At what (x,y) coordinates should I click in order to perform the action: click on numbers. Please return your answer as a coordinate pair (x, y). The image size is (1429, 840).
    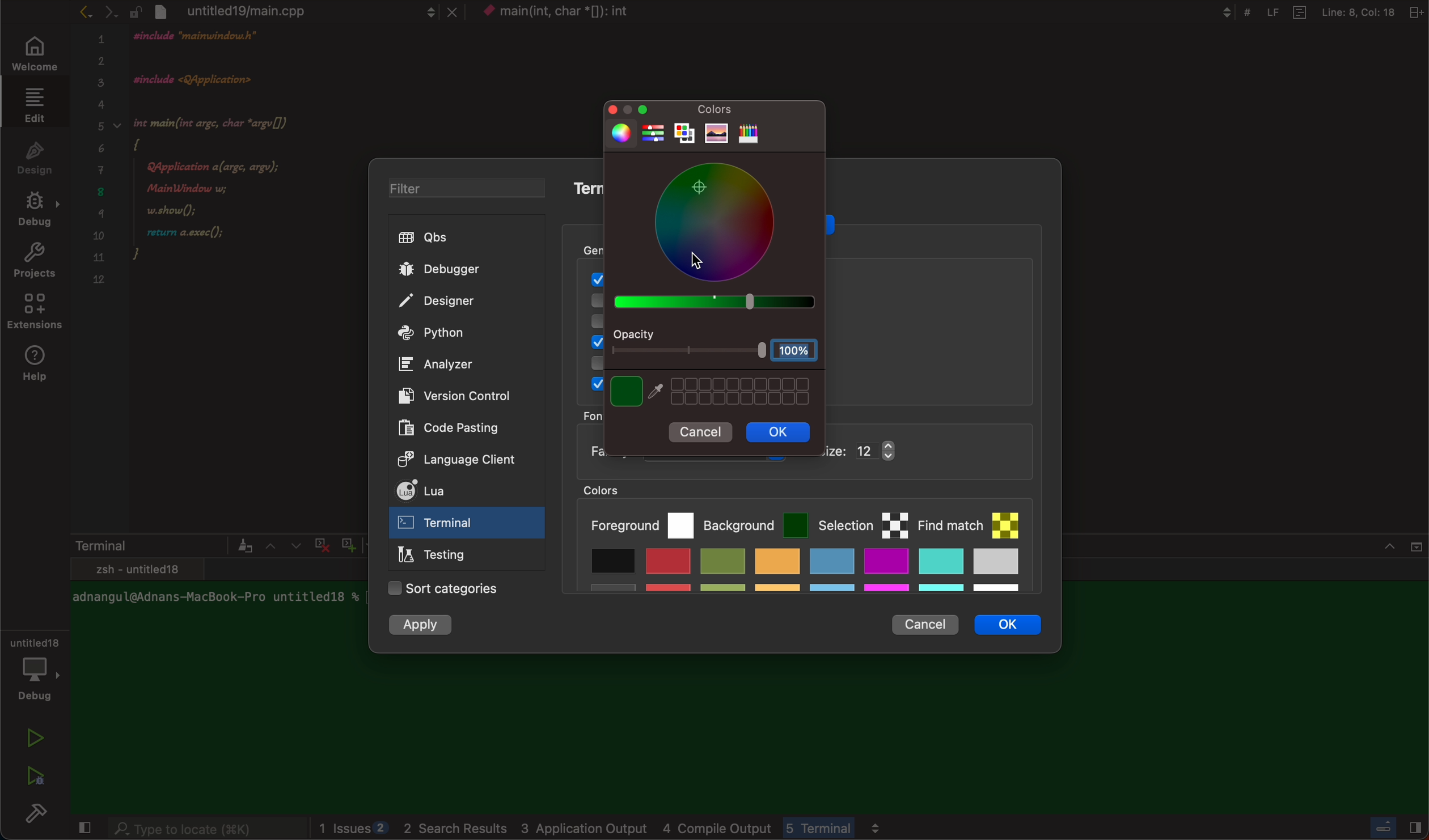
    Looking at the image, I should click on (100, 166).